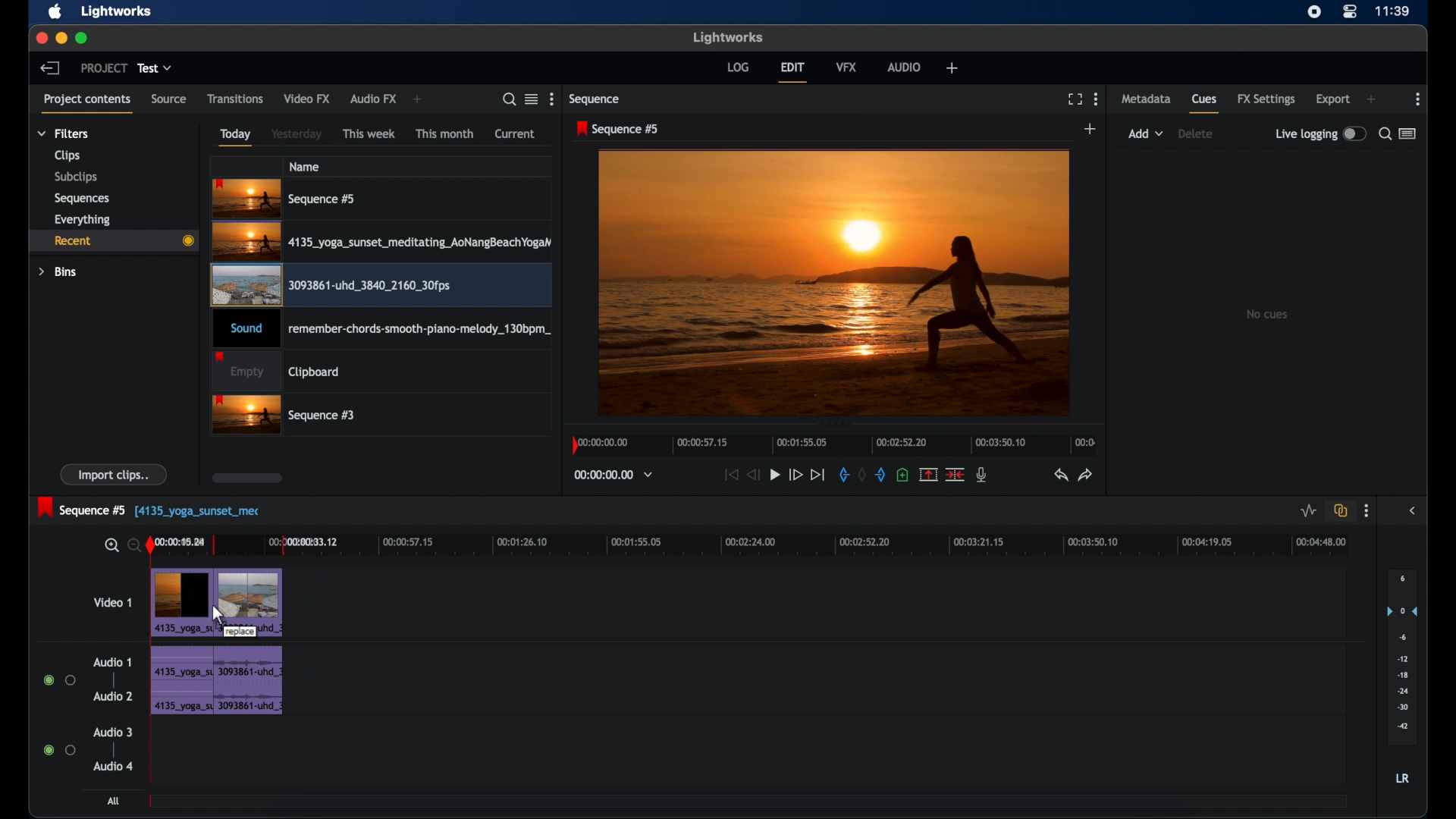 The width and height of the screenshot is (1456, 819). I want to click on mic, so click(983, 475).